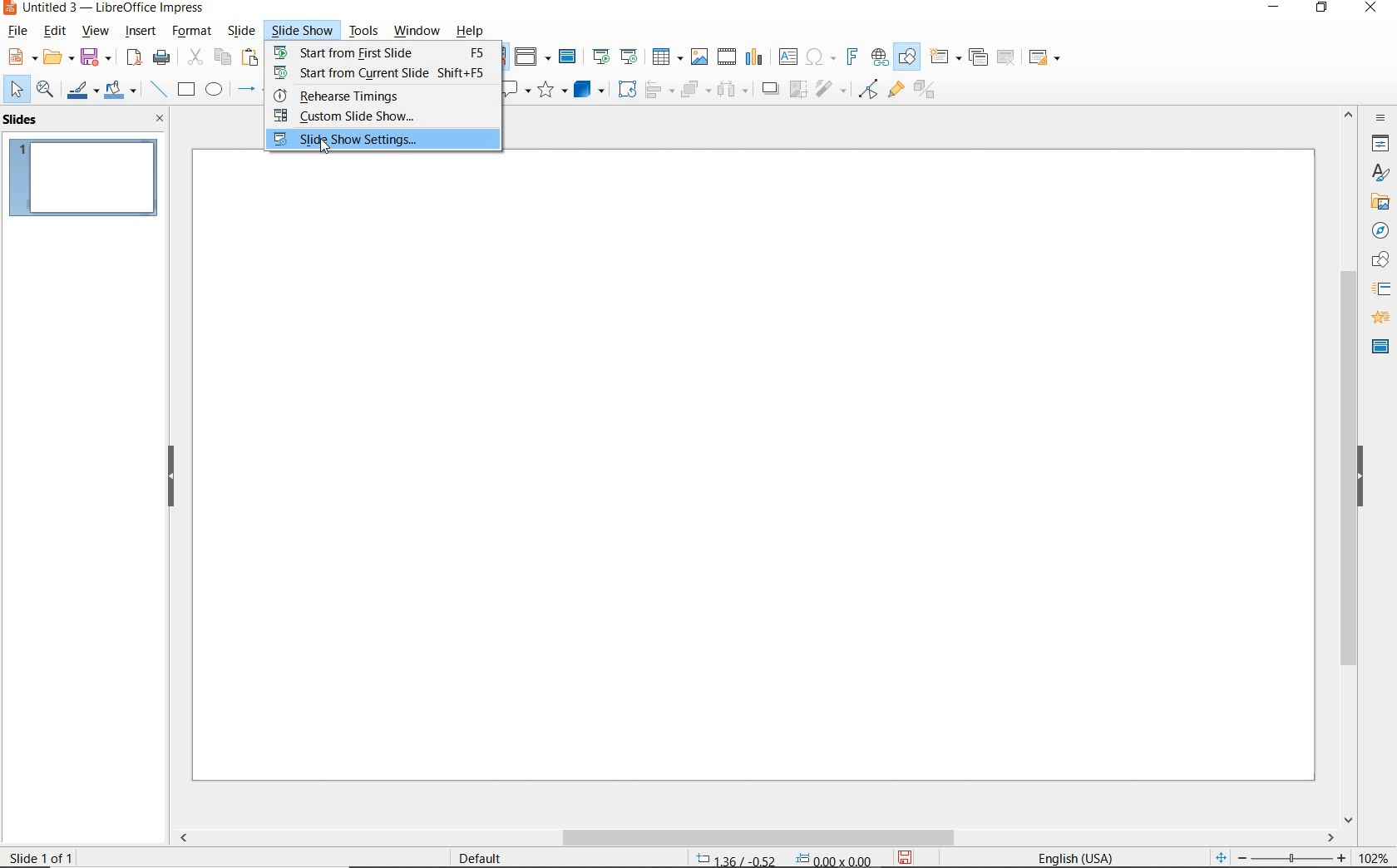  Describe the element at coordinates (878, 56) in the screenshot. I see `INSERT HYPERLINK` at that location.